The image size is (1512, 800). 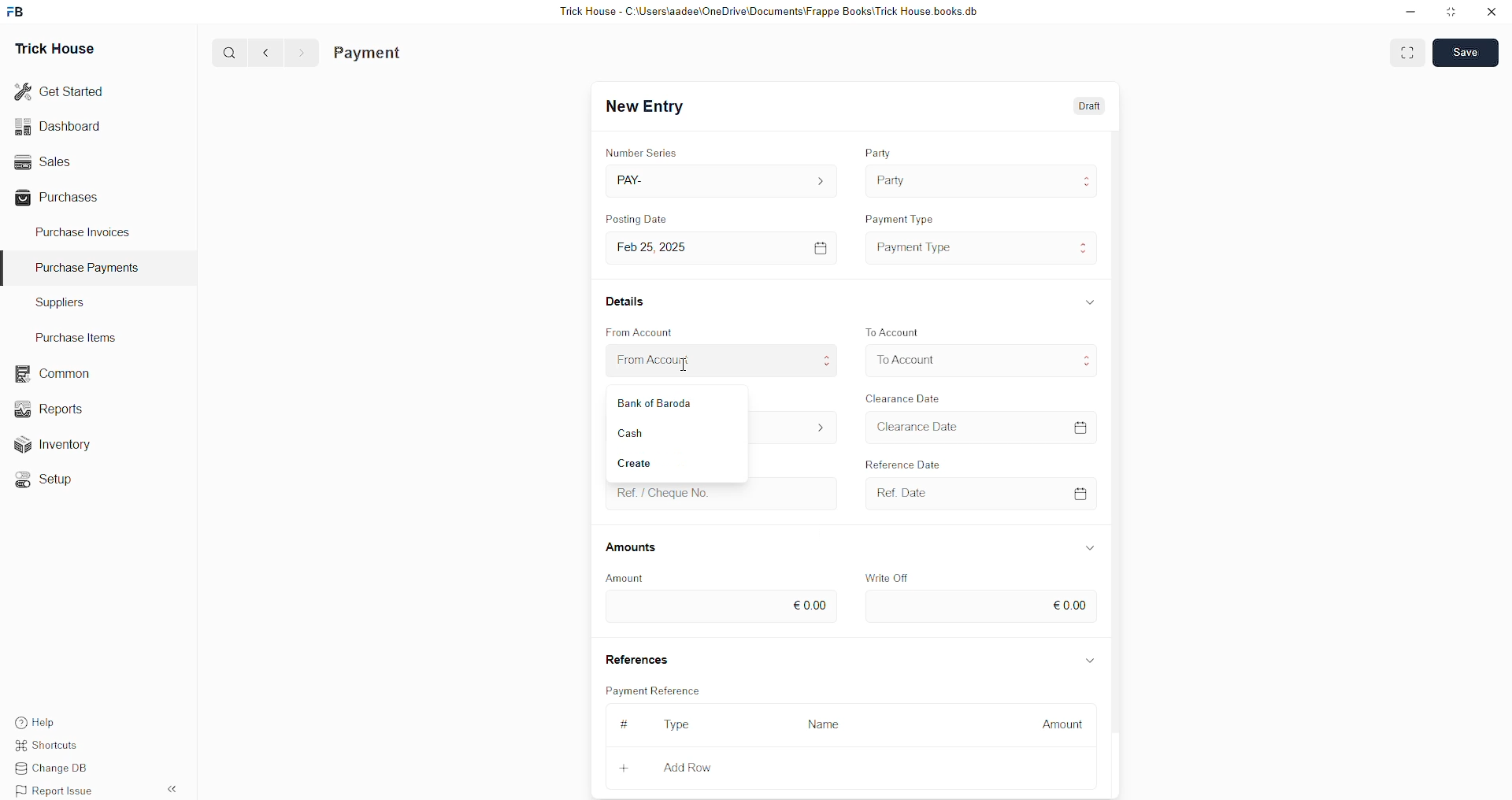 What do you see at coordinates (890, 576) in the screenshot?
I see `Write Off` at bounding box center [890, 576].